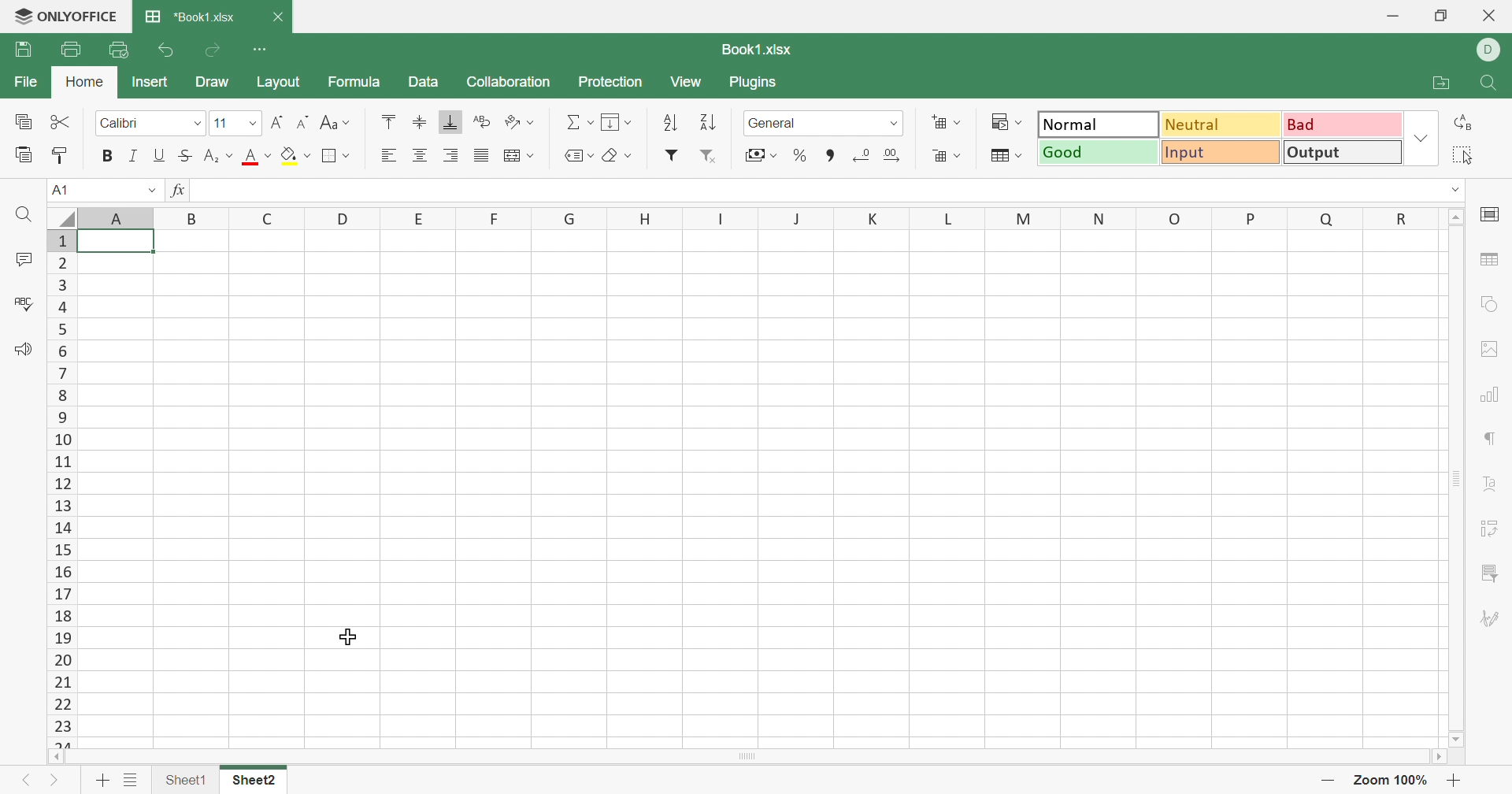  I want to click on Align Center, so click(421, 154).